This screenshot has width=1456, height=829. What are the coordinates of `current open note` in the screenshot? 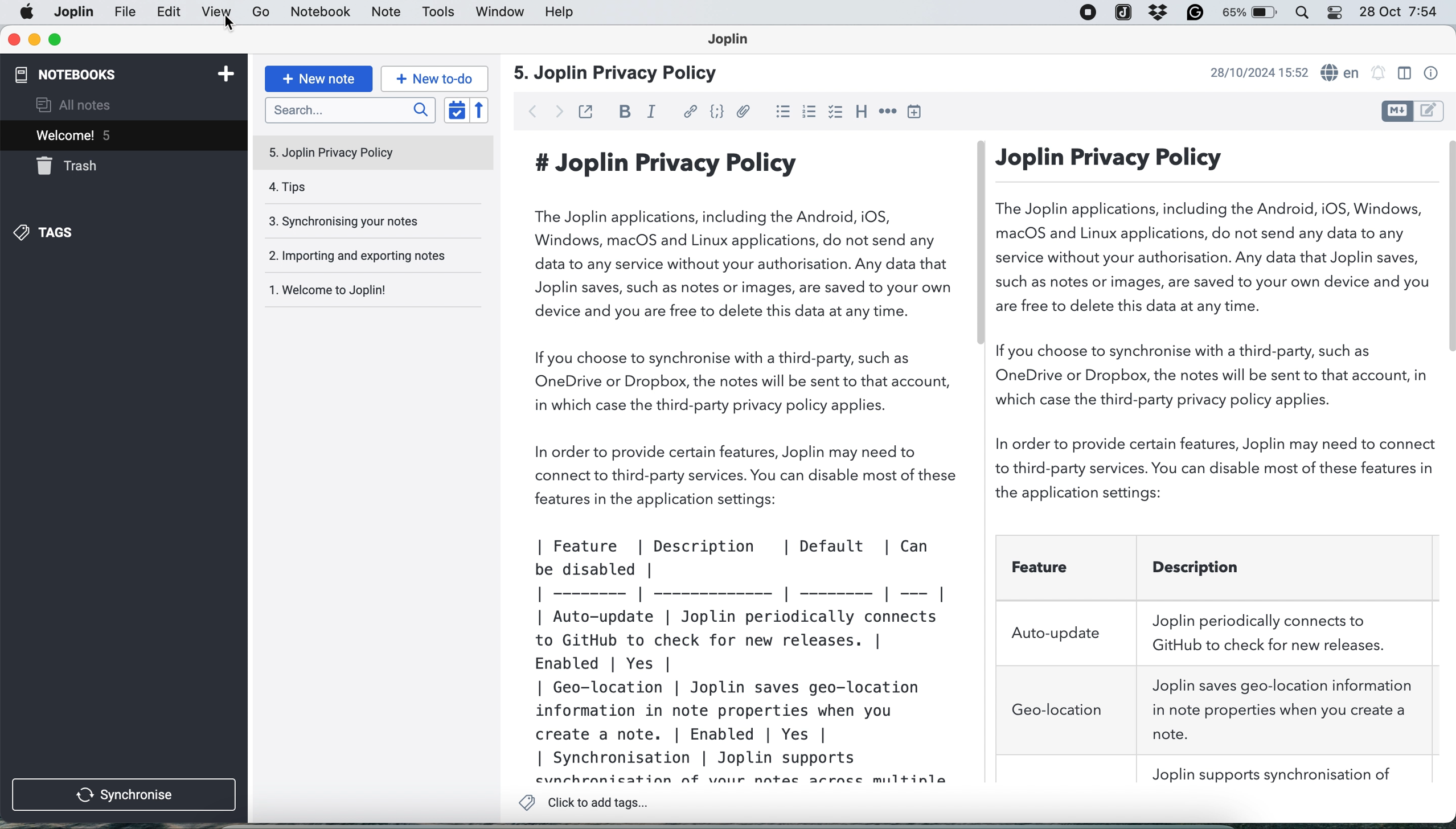 It's located at (72, 135).